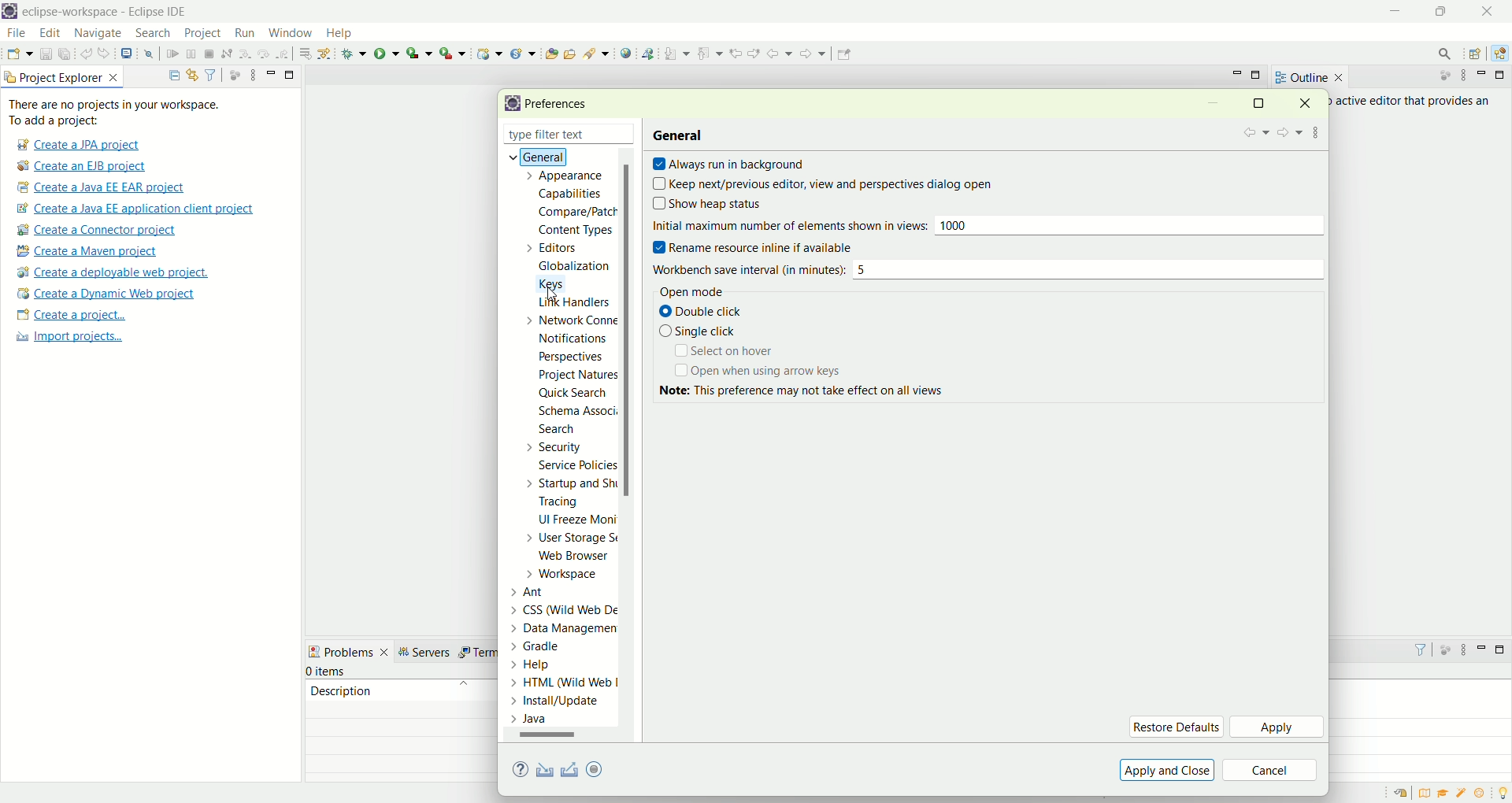  What do you see at coordinates (1440, 54) in the screenshot?
I see `search` at bounding box center [1440, 54].